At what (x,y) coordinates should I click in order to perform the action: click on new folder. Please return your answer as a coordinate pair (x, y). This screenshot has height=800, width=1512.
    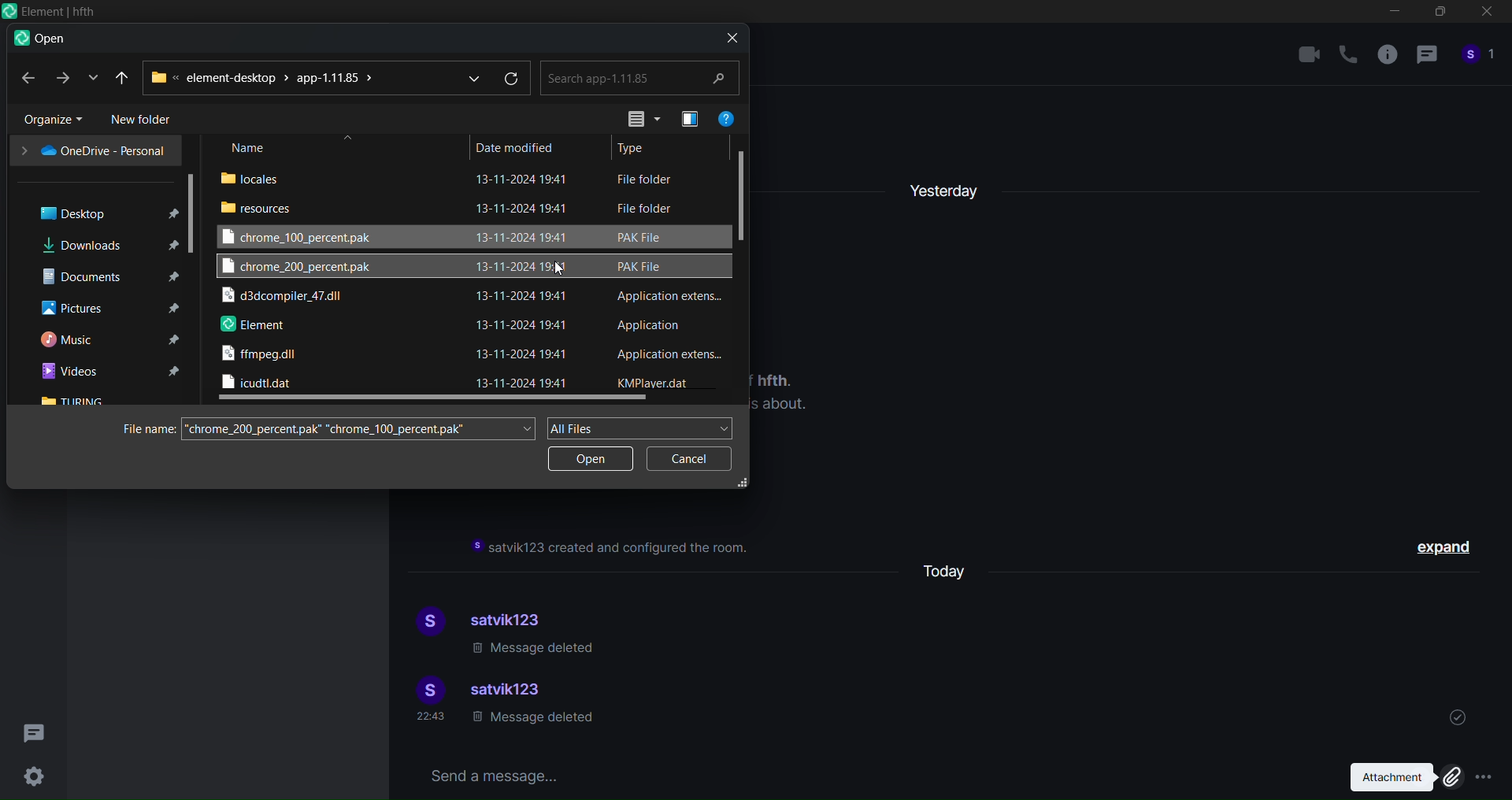
    Looking at the image, I should click on (146, 120).